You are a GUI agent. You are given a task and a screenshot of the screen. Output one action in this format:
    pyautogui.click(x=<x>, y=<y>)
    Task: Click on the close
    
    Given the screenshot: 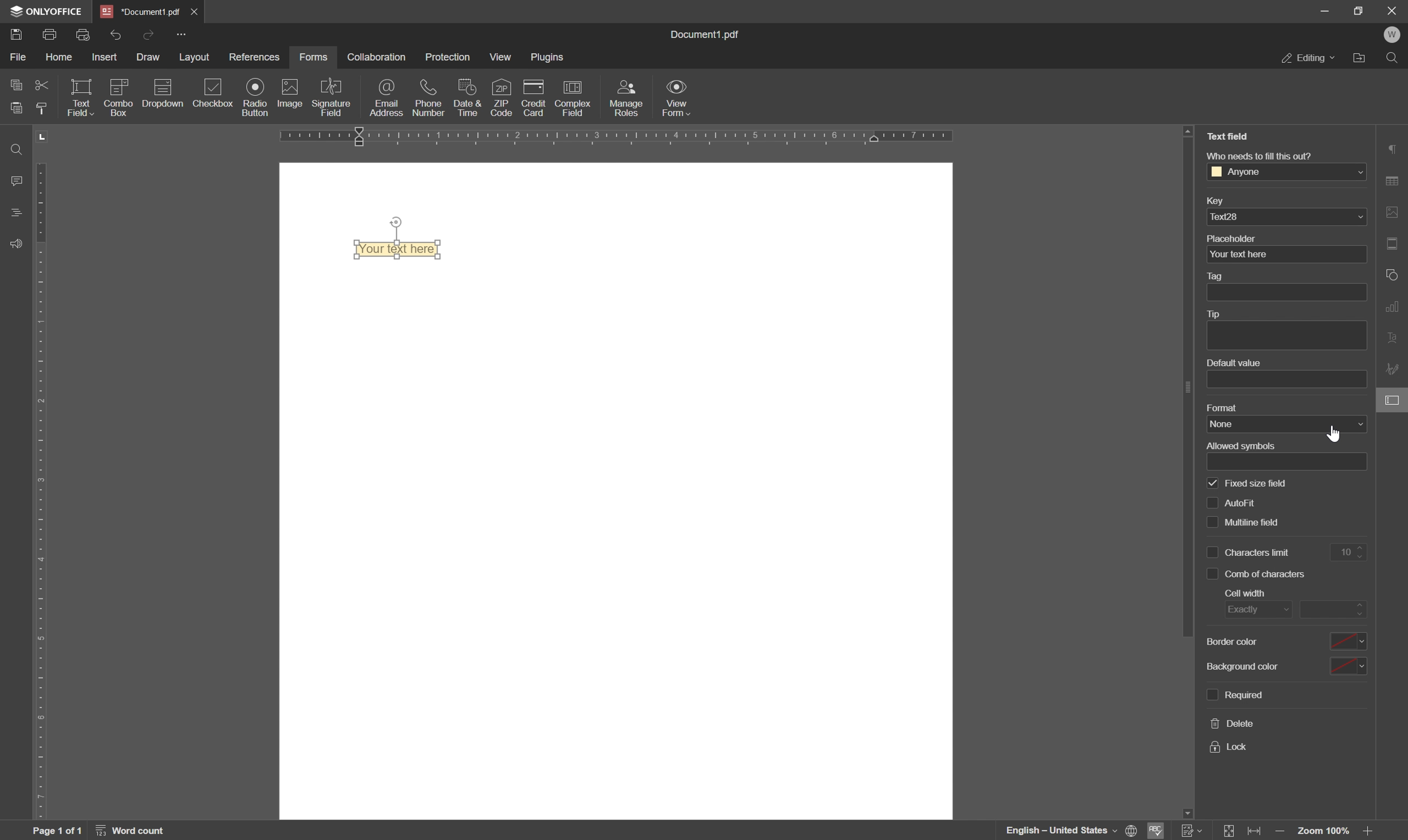 What is the action you would take?
    pyautogui.click(x=1392, y=11)
    